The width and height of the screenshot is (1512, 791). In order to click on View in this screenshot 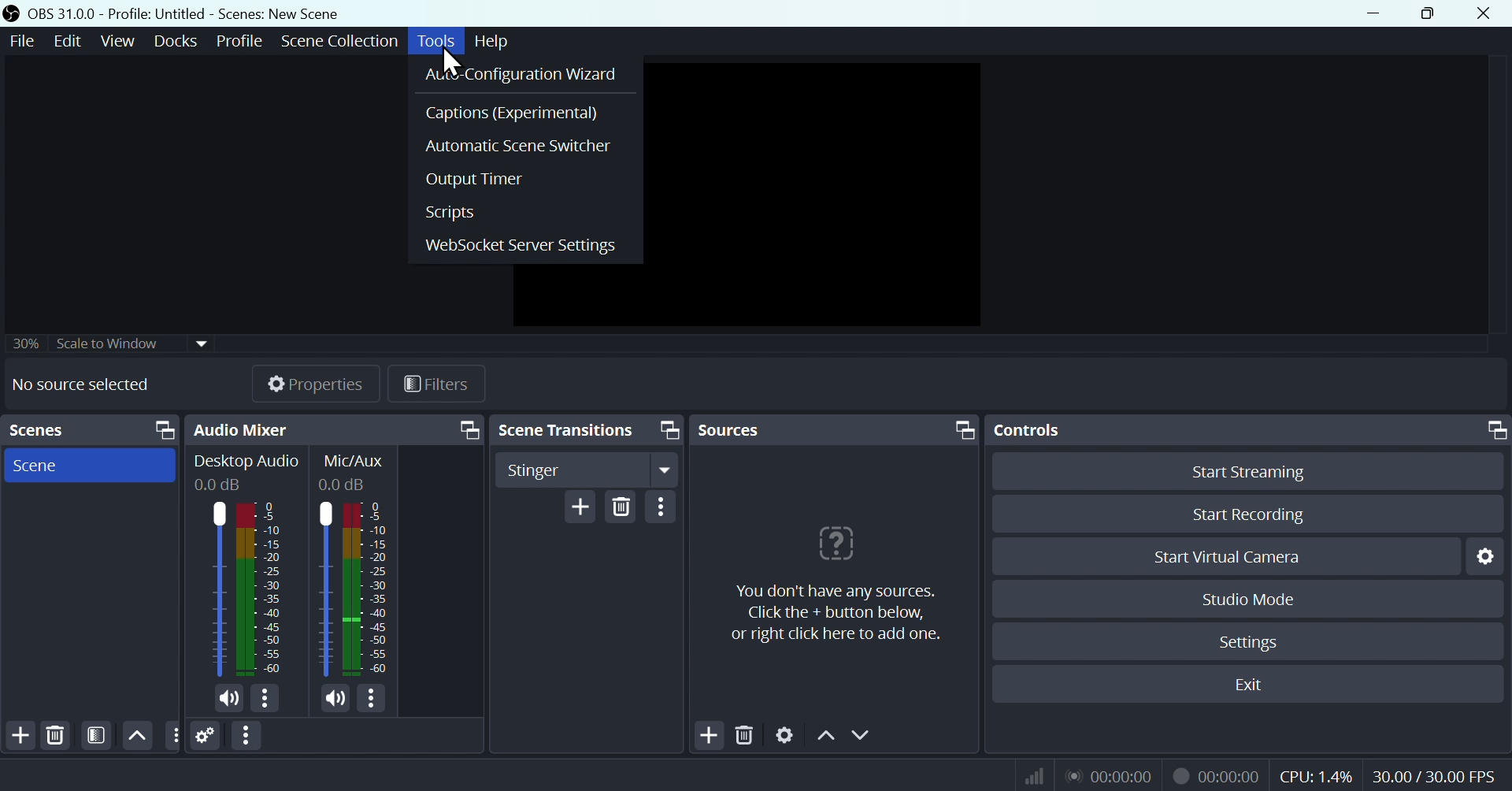, I will do `click(114, 41)`.